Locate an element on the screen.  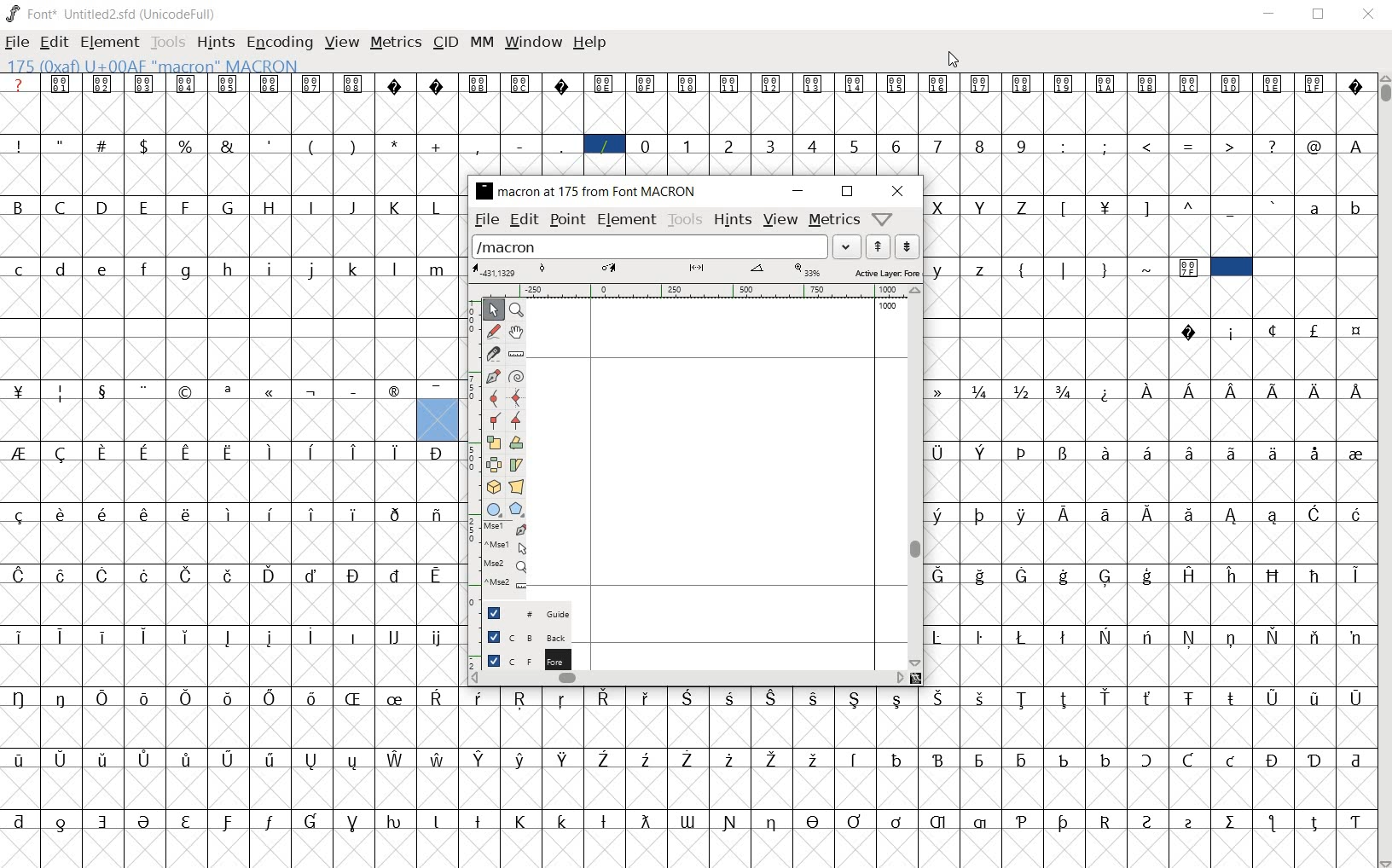
Symbol is located at coordinates (229, 820).